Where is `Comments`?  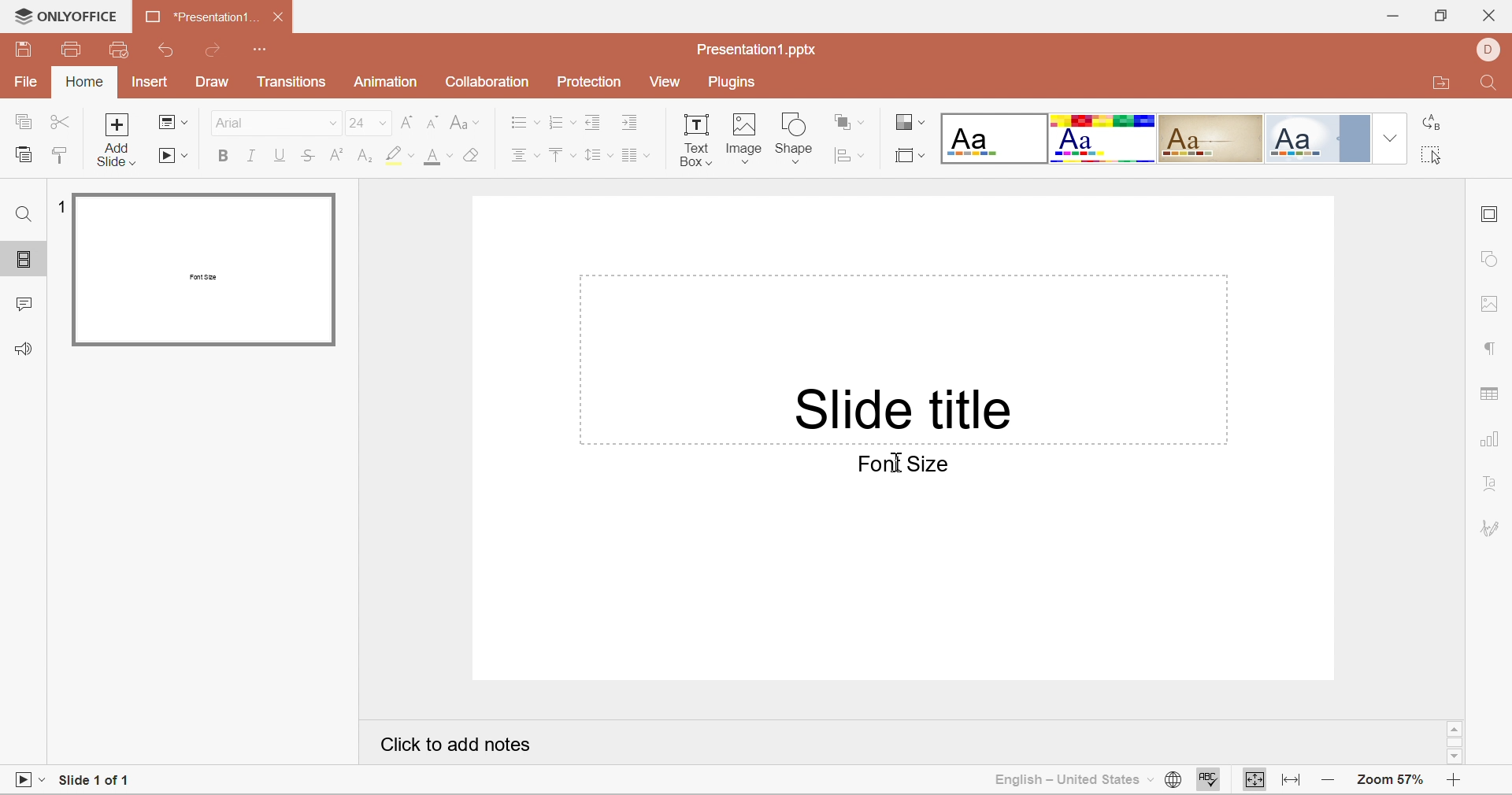 Comments is located at coordinates (21, 308).